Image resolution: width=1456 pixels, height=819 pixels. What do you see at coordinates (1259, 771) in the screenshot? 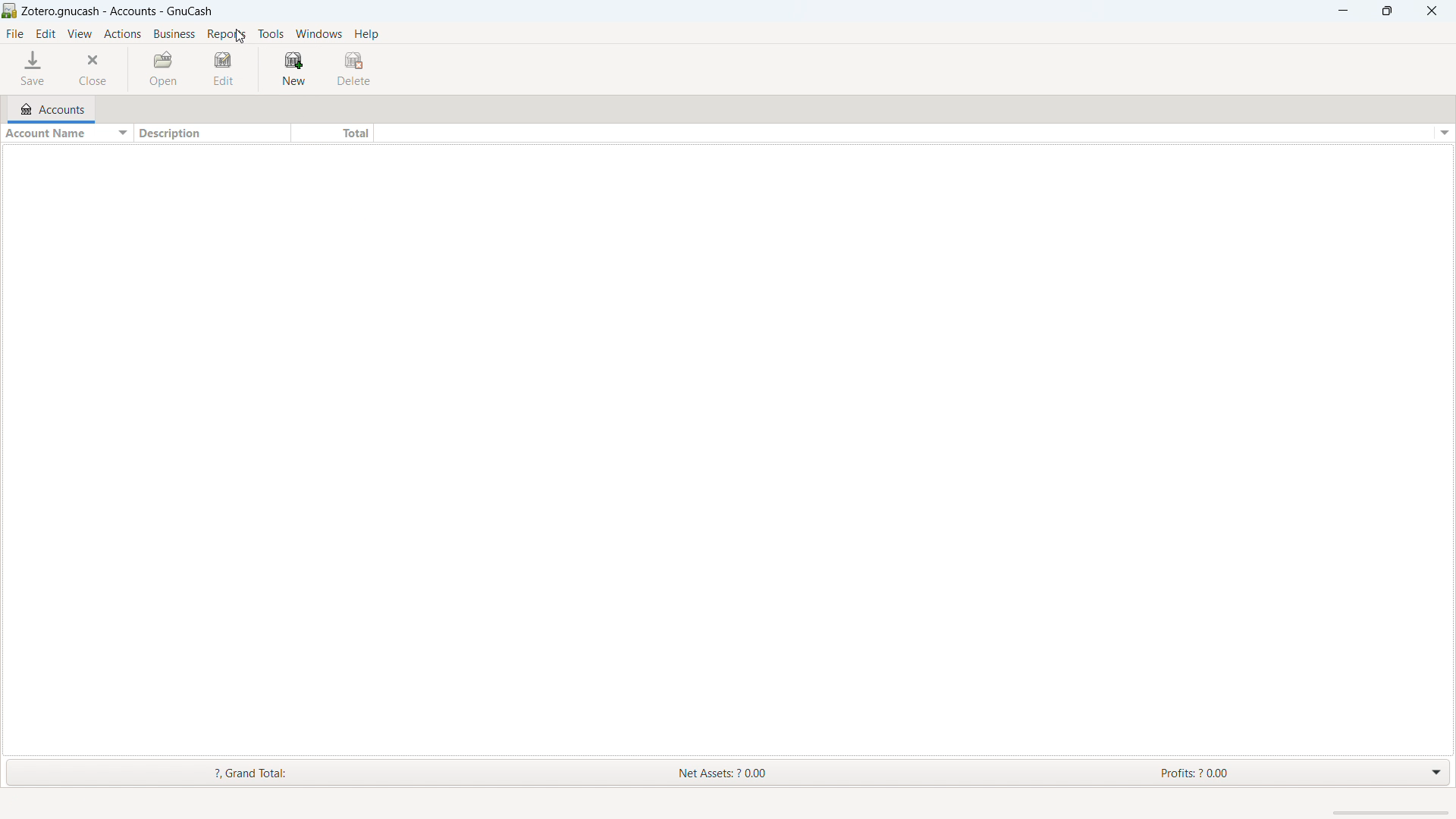
I see `profits` at bounding box center [1259, 771].